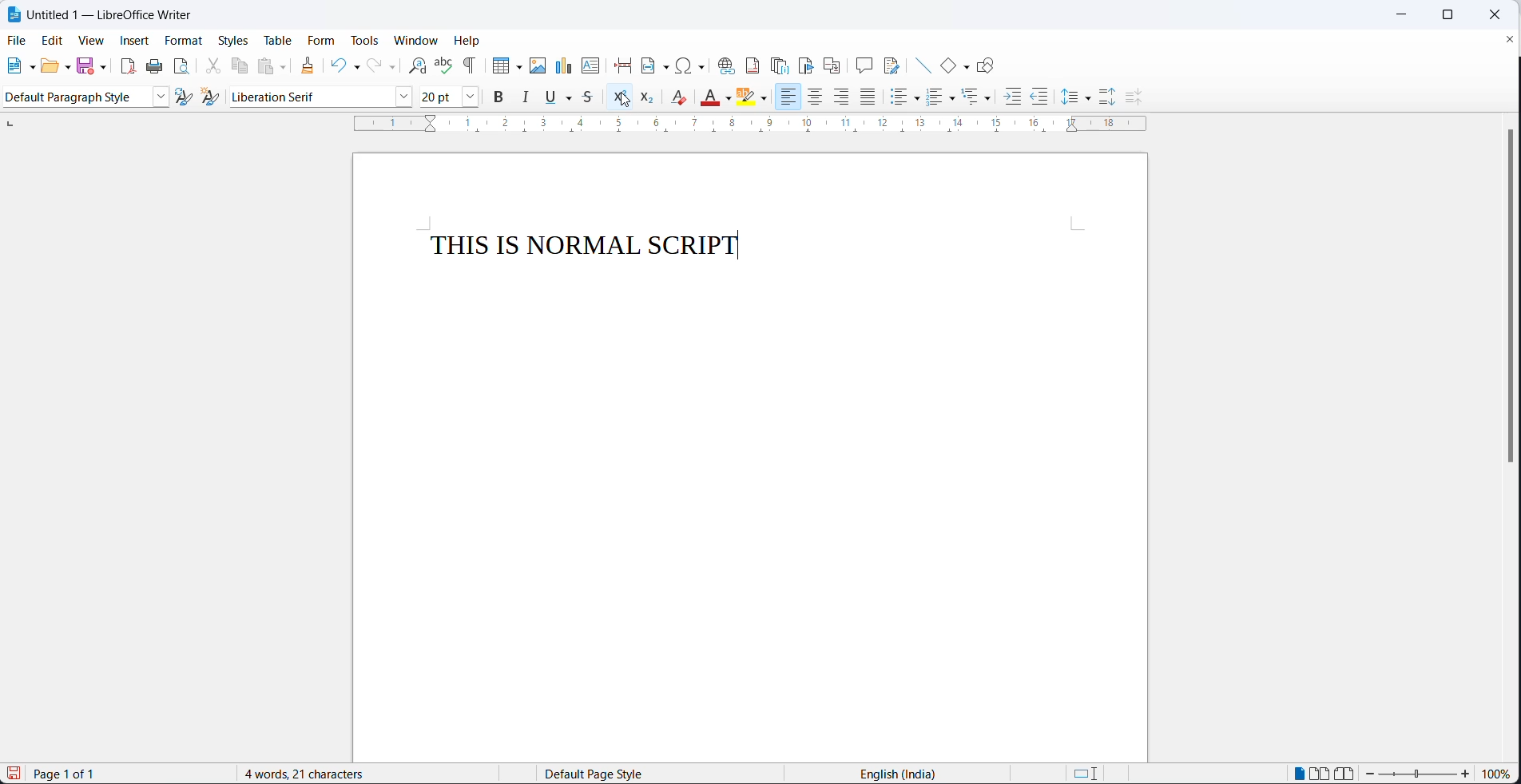  What do you see at coordinates (85, 42) in the screenshot?
I see `view` at bounding box center [85, 42].